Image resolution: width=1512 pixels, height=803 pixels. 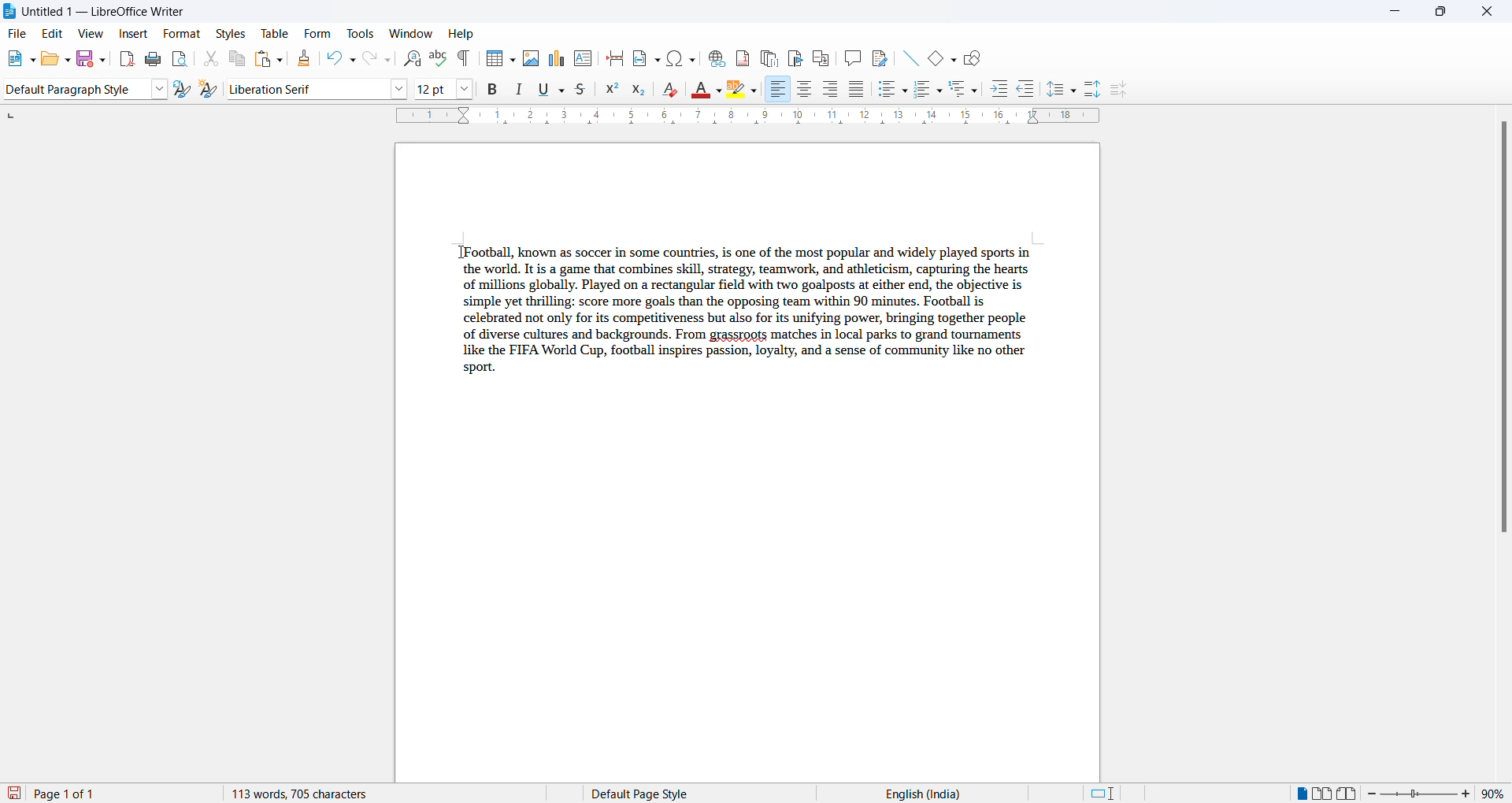 What do you see at coordinates (339, 794) in the screenshot?
I see `word and character count` at bounding box center [339, 794].